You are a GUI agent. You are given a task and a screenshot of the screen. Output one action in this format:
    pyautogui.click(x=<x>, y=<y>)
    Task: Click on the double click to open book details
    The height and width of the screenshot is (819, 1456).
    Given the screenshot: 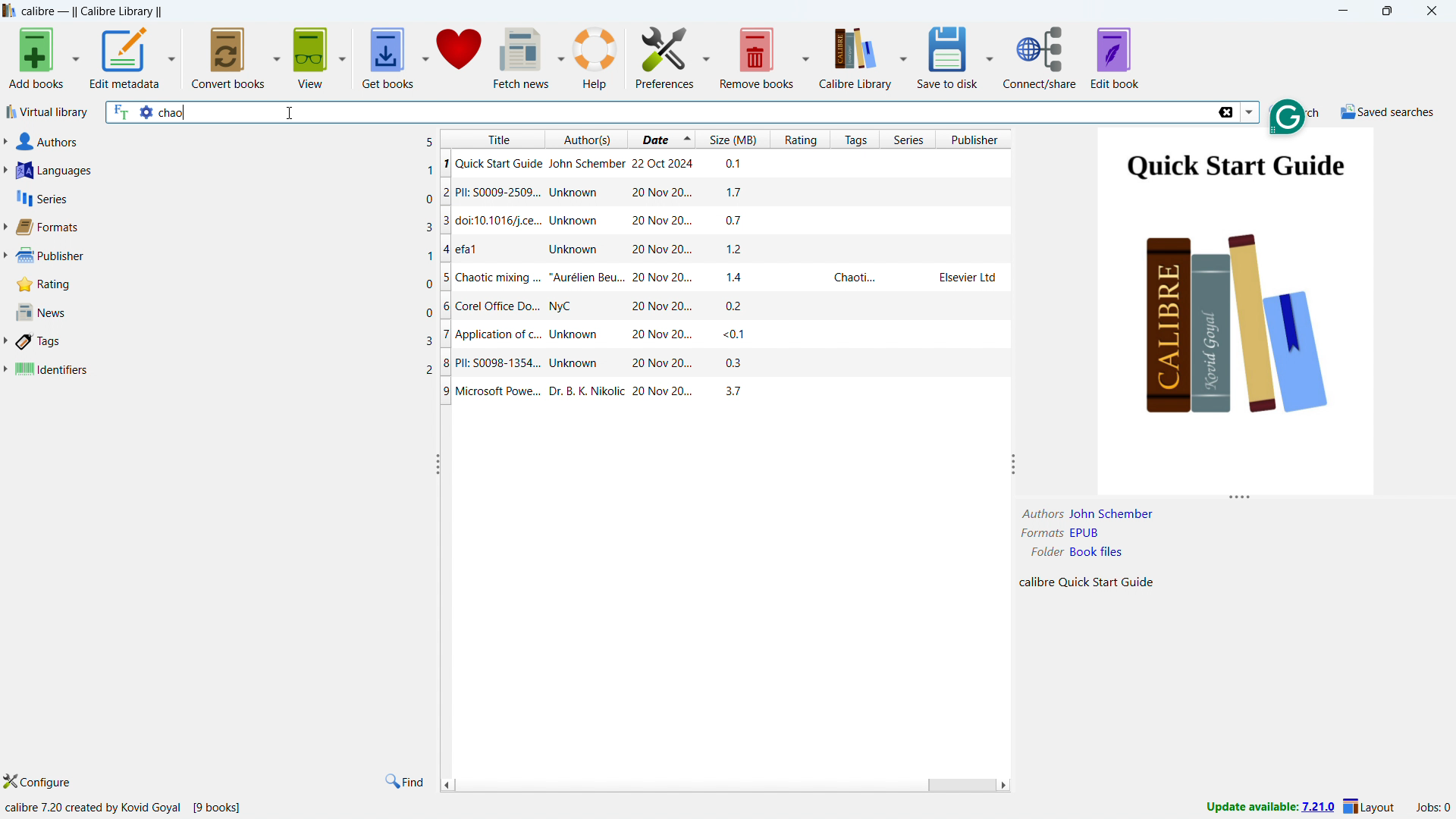 What is the action you would take?
    pyautogui.click(x=1239, y=310)
    